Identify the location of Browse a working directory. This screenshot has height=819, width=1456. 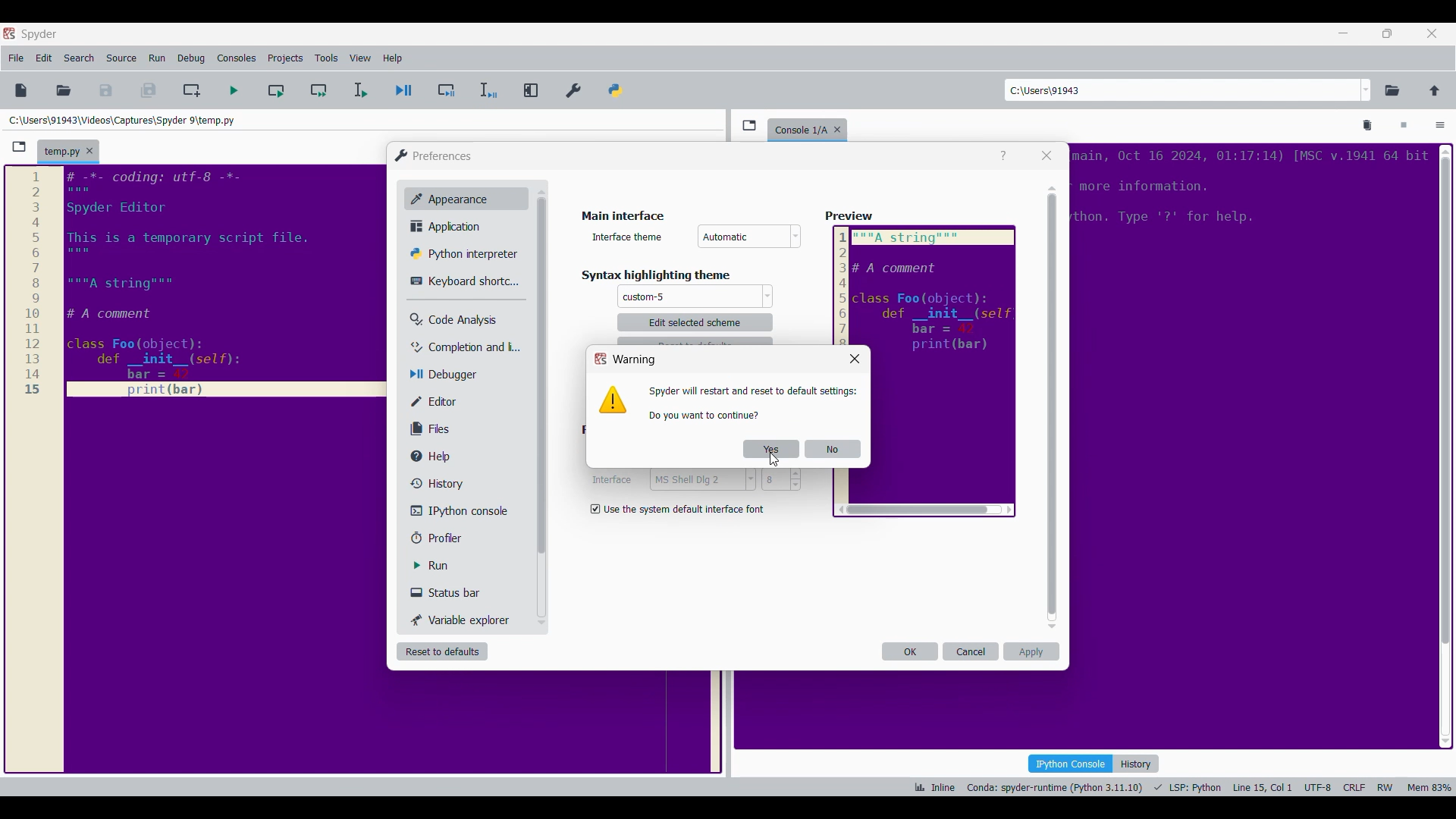
(1392, 90).